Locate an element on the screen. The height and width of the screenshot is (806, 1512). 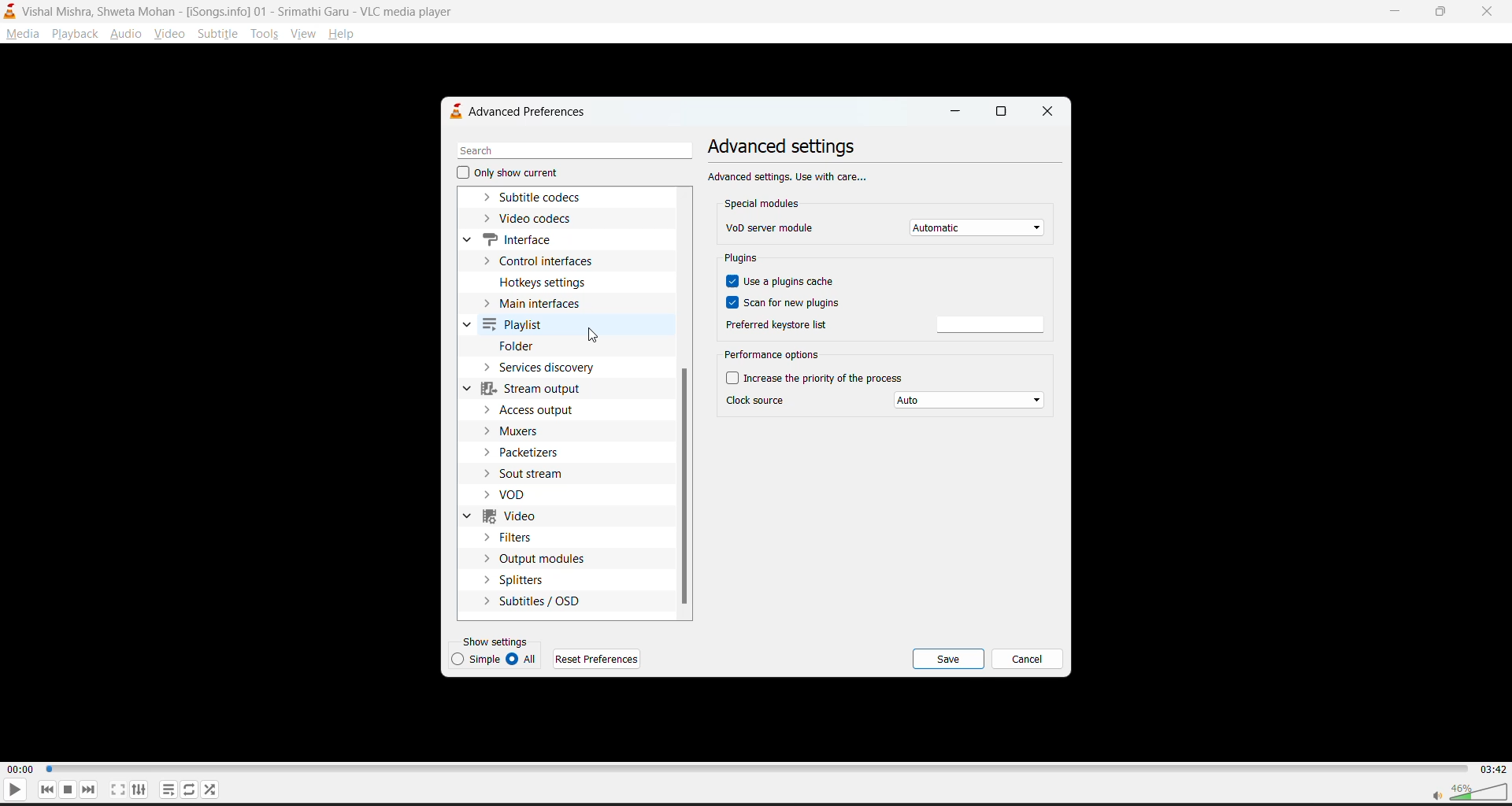
save is located at coordinates (952, 658).